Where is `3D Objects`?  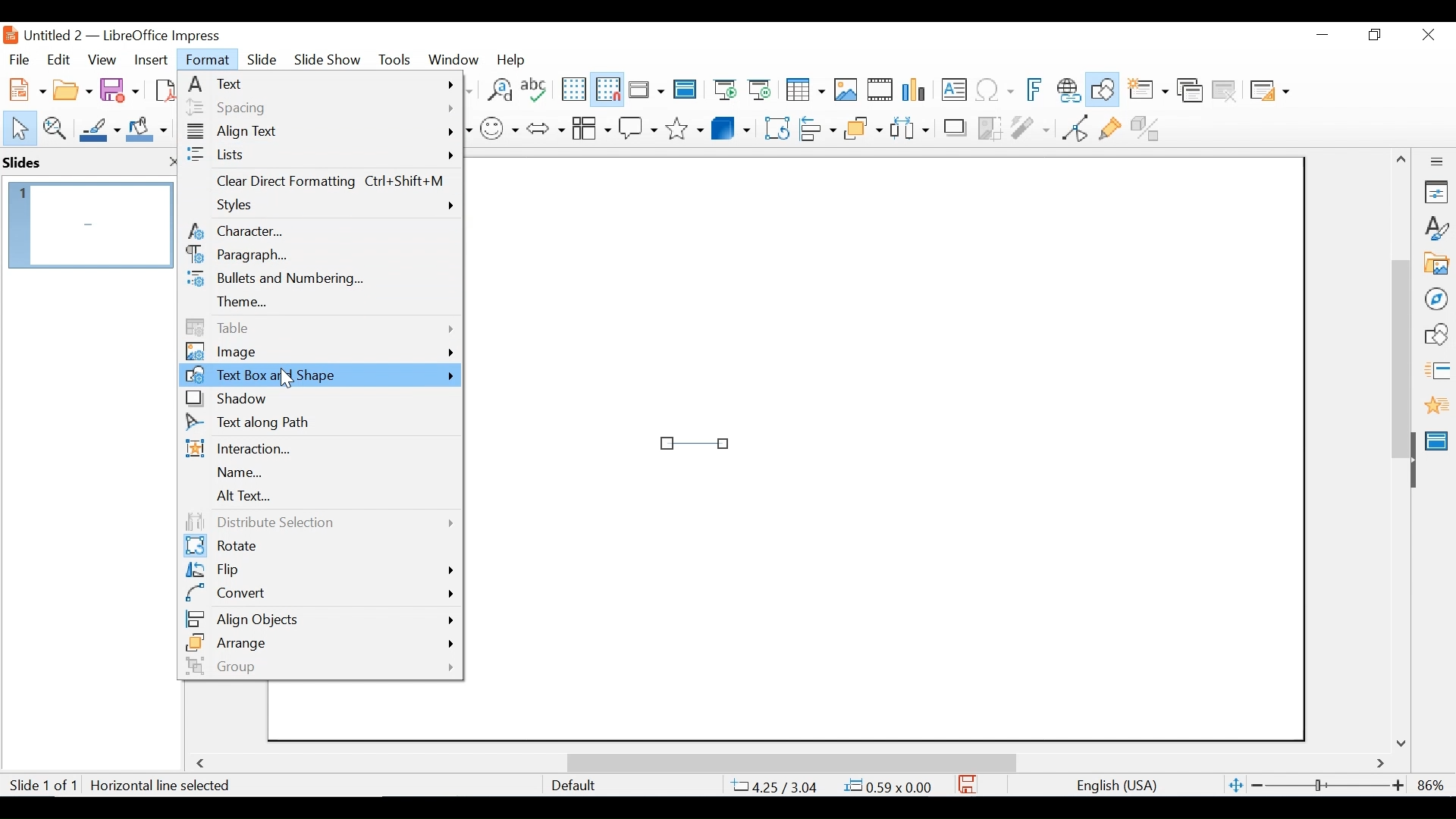
3D Objects is located at coordinates (731, 127).